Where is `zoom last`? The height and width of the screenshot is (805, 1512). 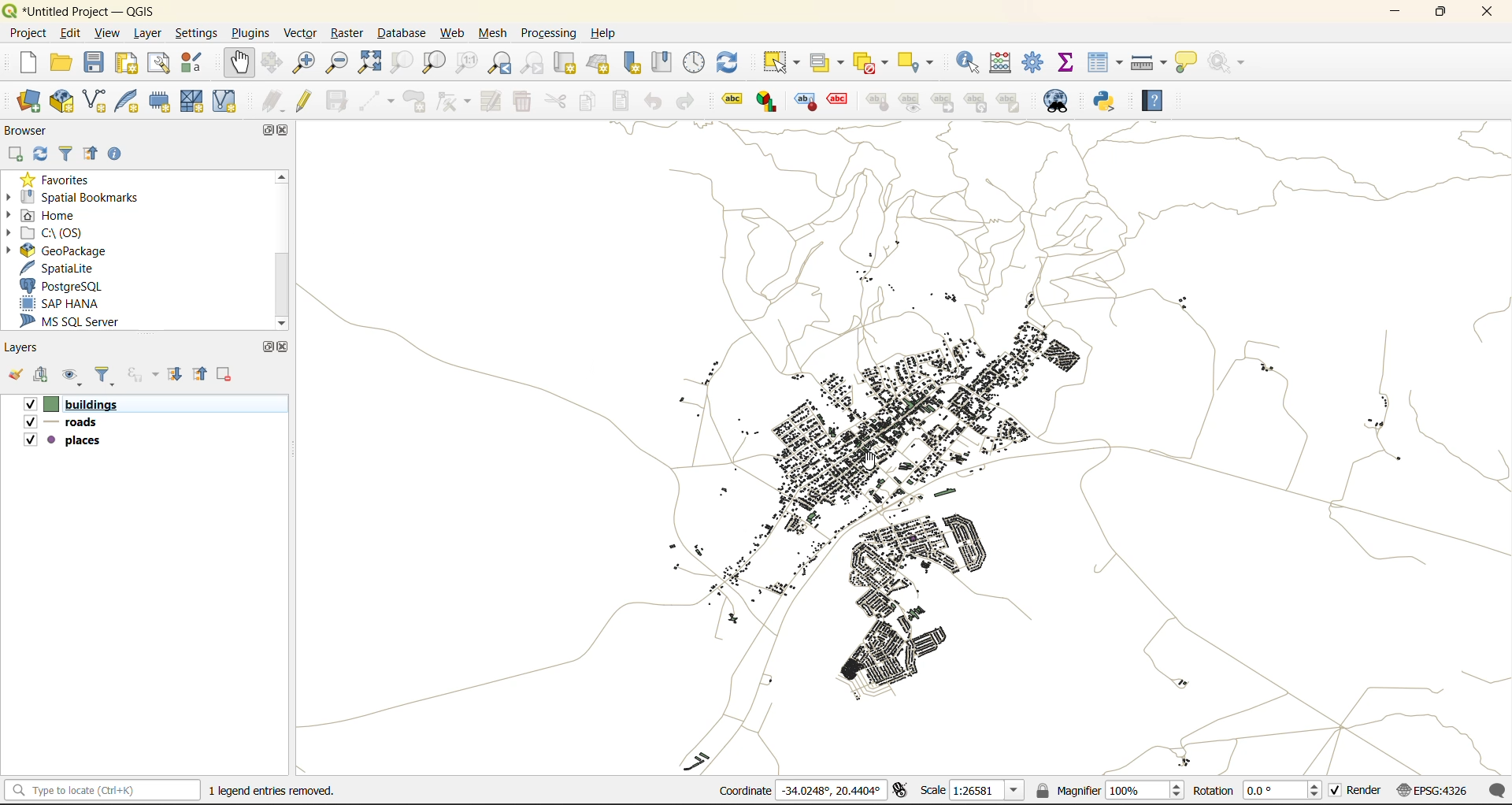
zoom last is located at coordinates (499, 65).